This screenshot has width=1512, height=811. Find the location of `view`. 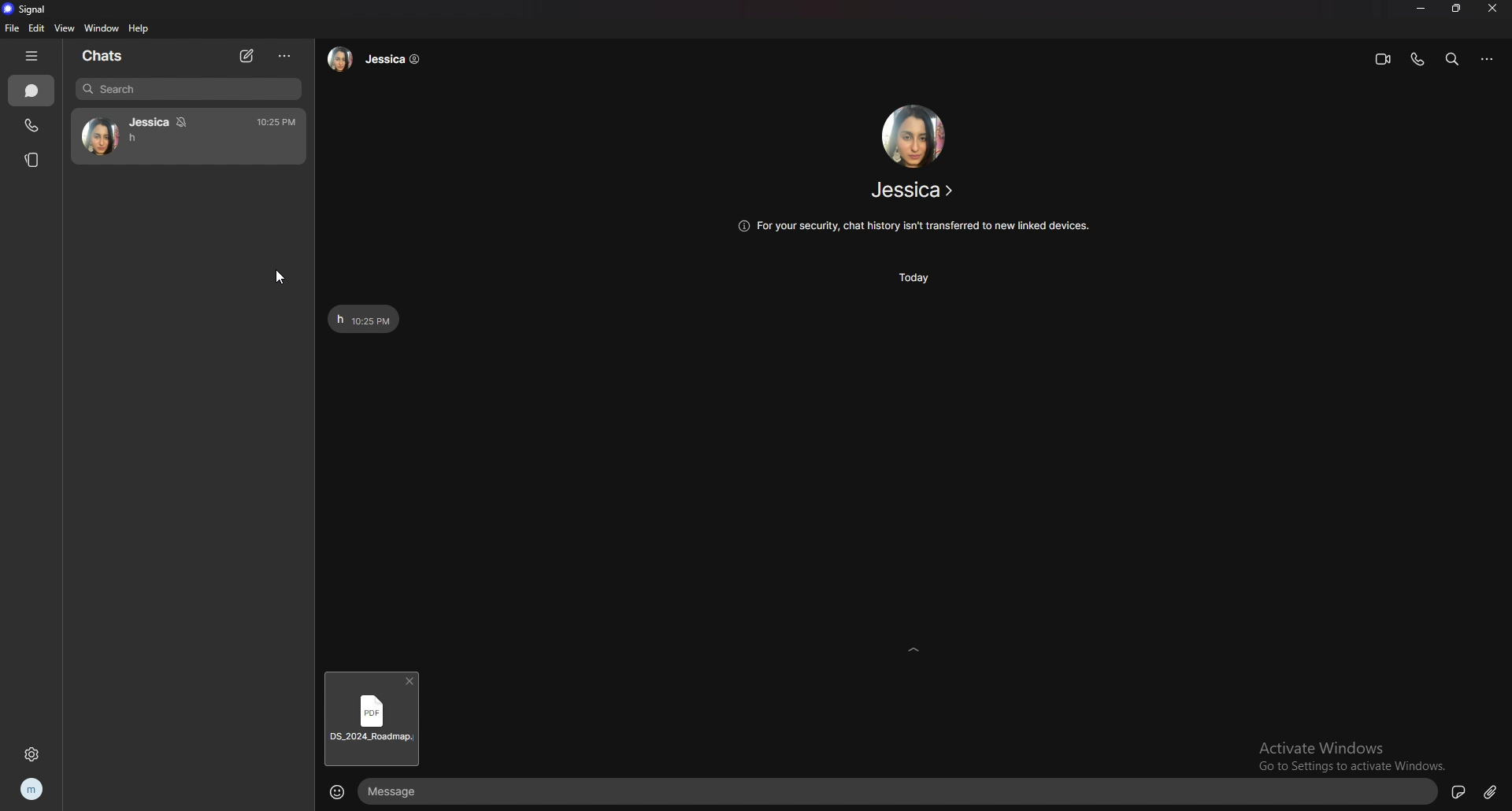

view is located at coordinates (63, 28).